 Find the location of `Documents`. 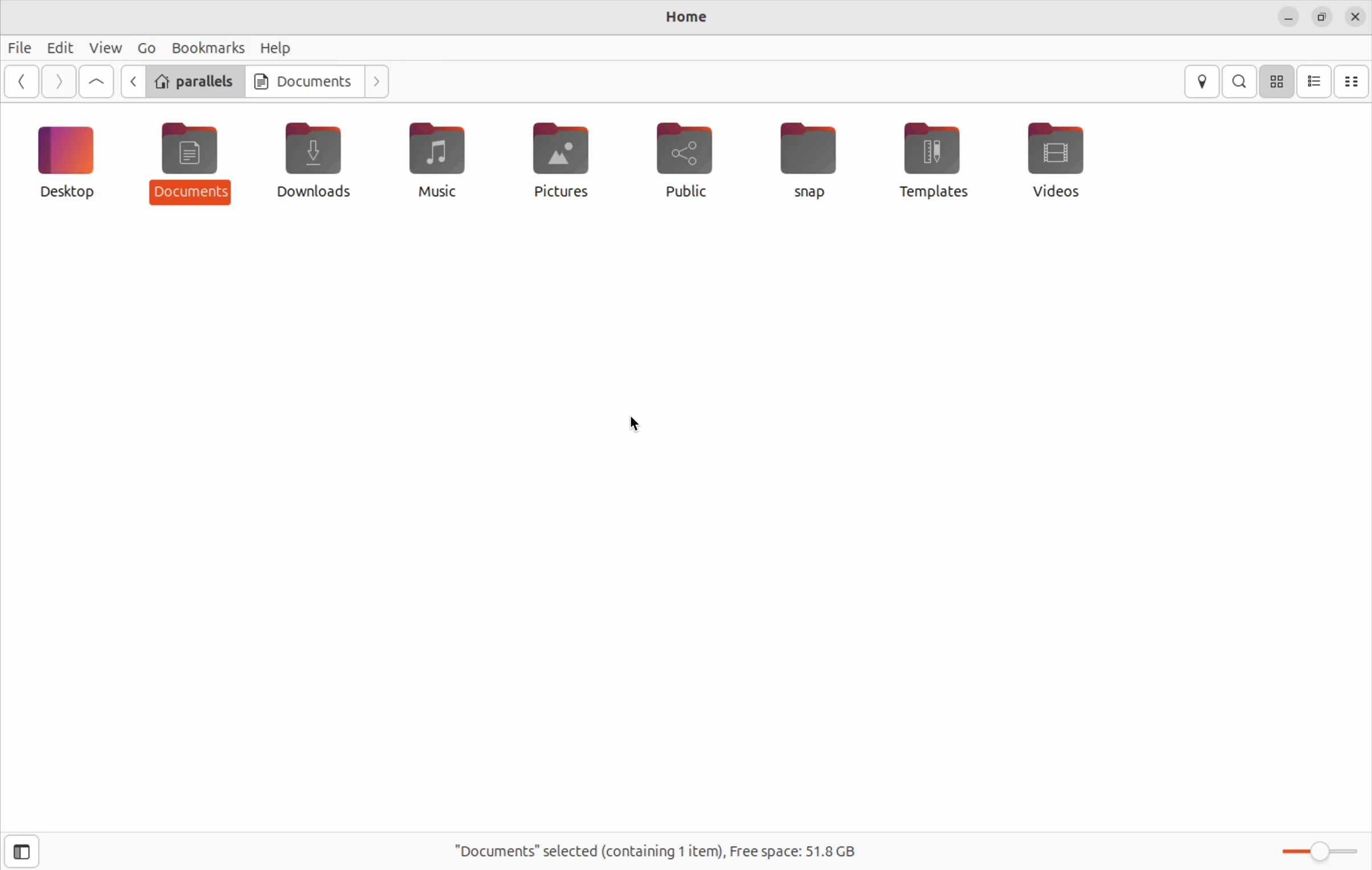

Documents is located at coordinates (303, 81).